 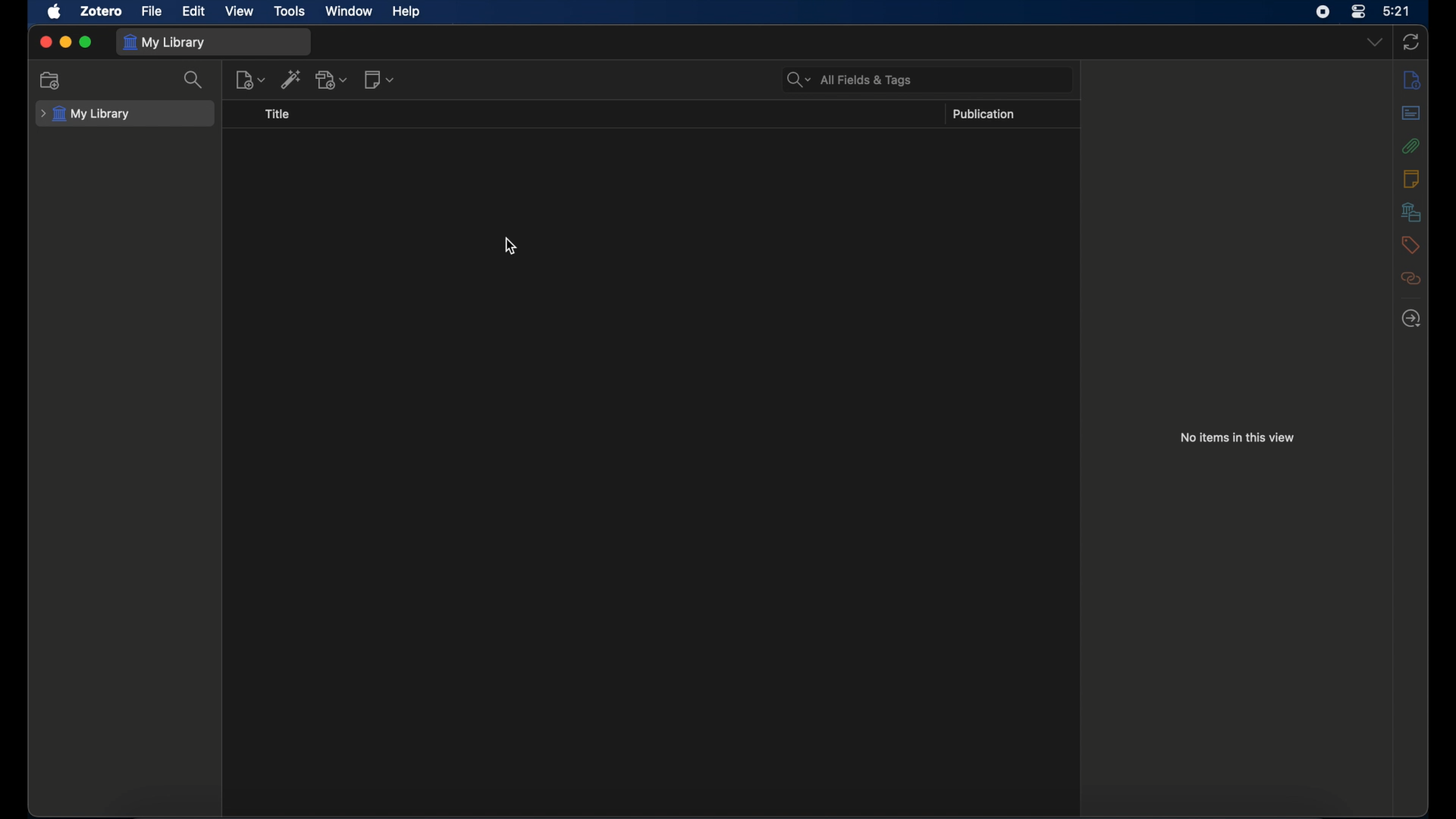 What do you see at coordinates (292, 79) in the screenshot?
I see `add item by identifier` at bounding box center [292, 79].